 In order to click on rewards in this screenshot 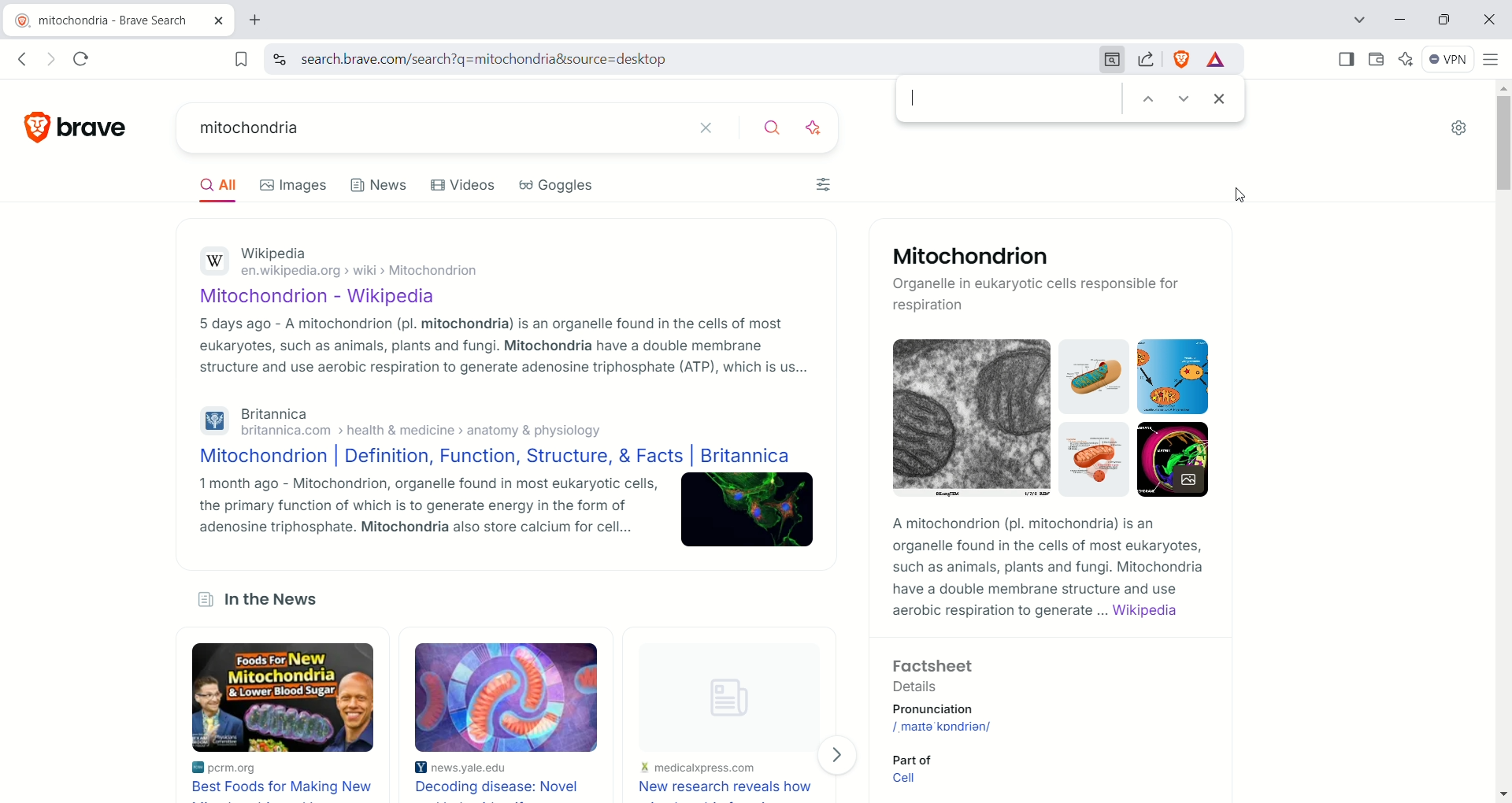, I will do `click(1216, 61)`.